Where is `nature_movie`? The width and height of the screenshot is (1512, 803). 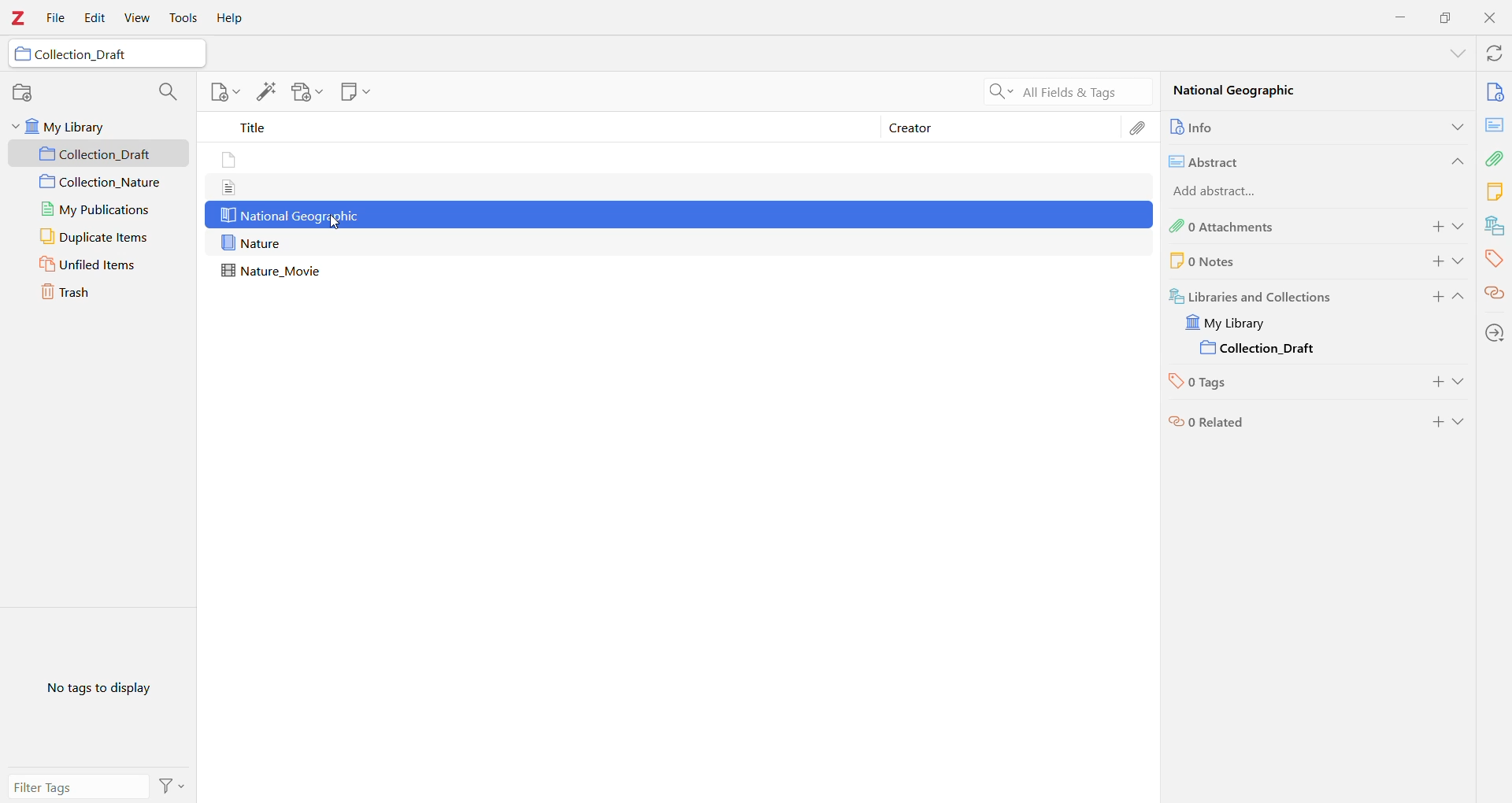 nature_movie is located at coordinates (276, 272).